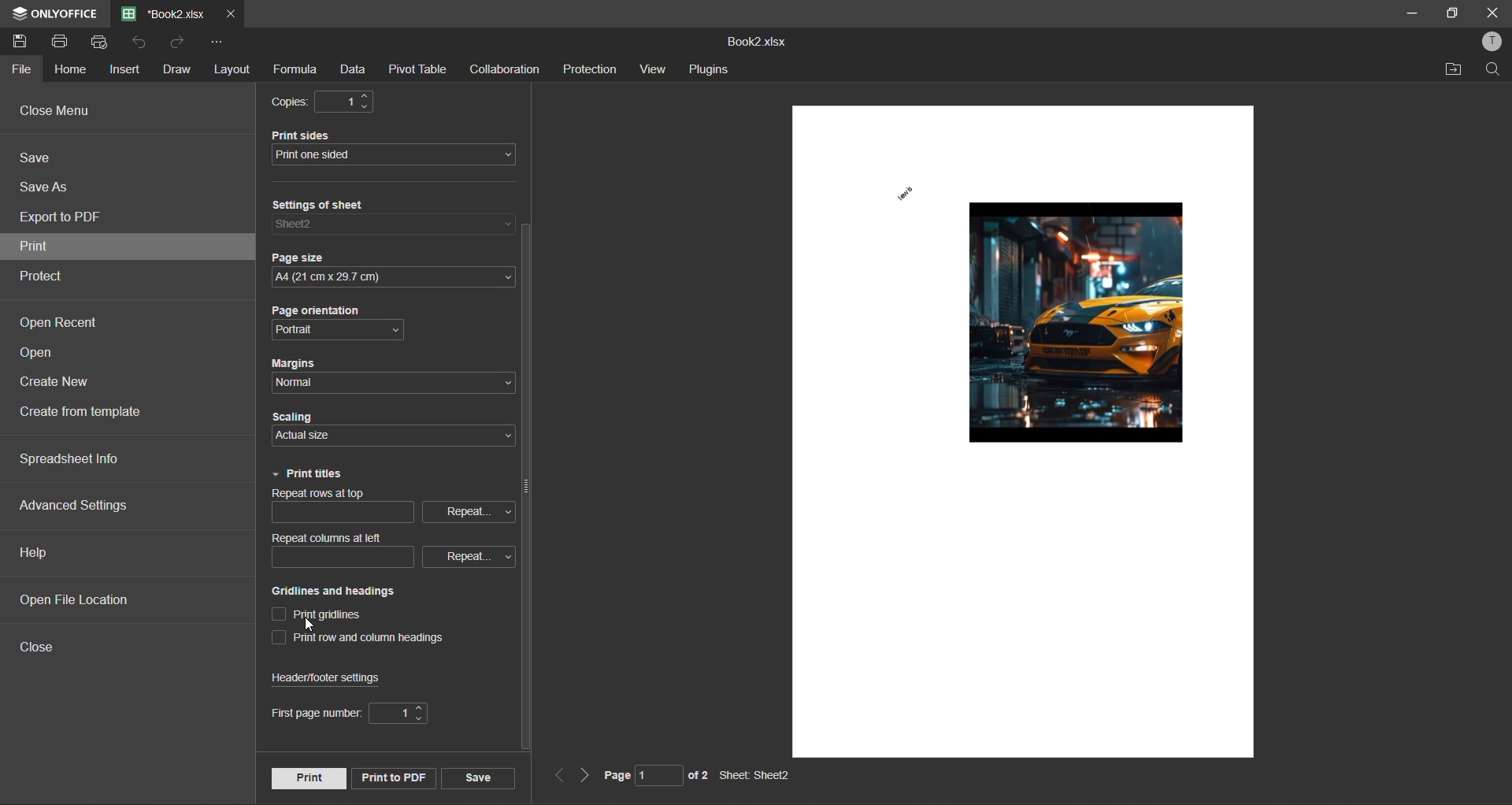 This screenshot has height=805, width=1512. What do you see at coordinates (313, 625) in the screenshot?
I see `cursor` at bounding box center [313, 625].